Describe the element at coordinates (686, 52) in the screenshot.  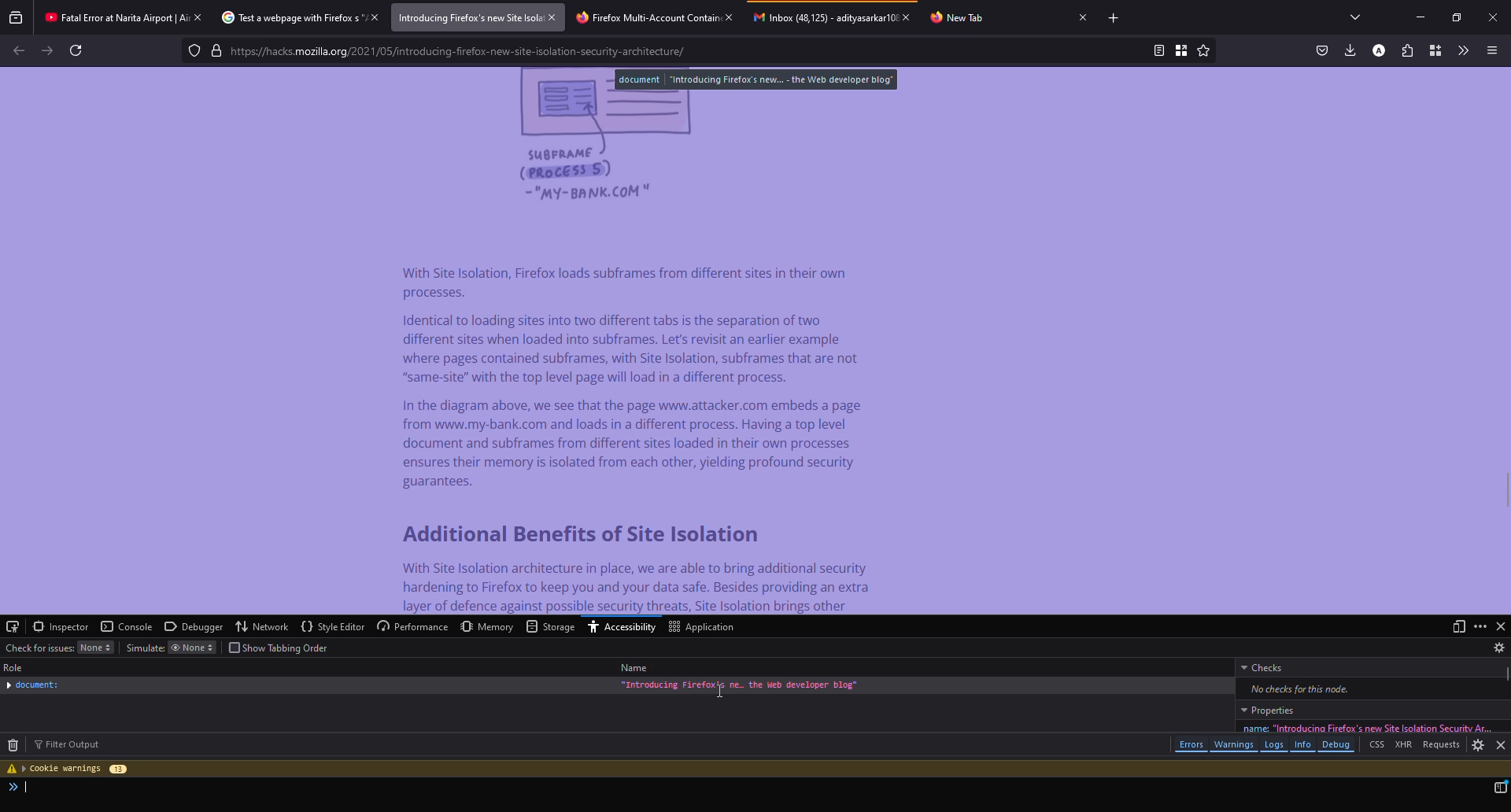
I see `search` at that location.